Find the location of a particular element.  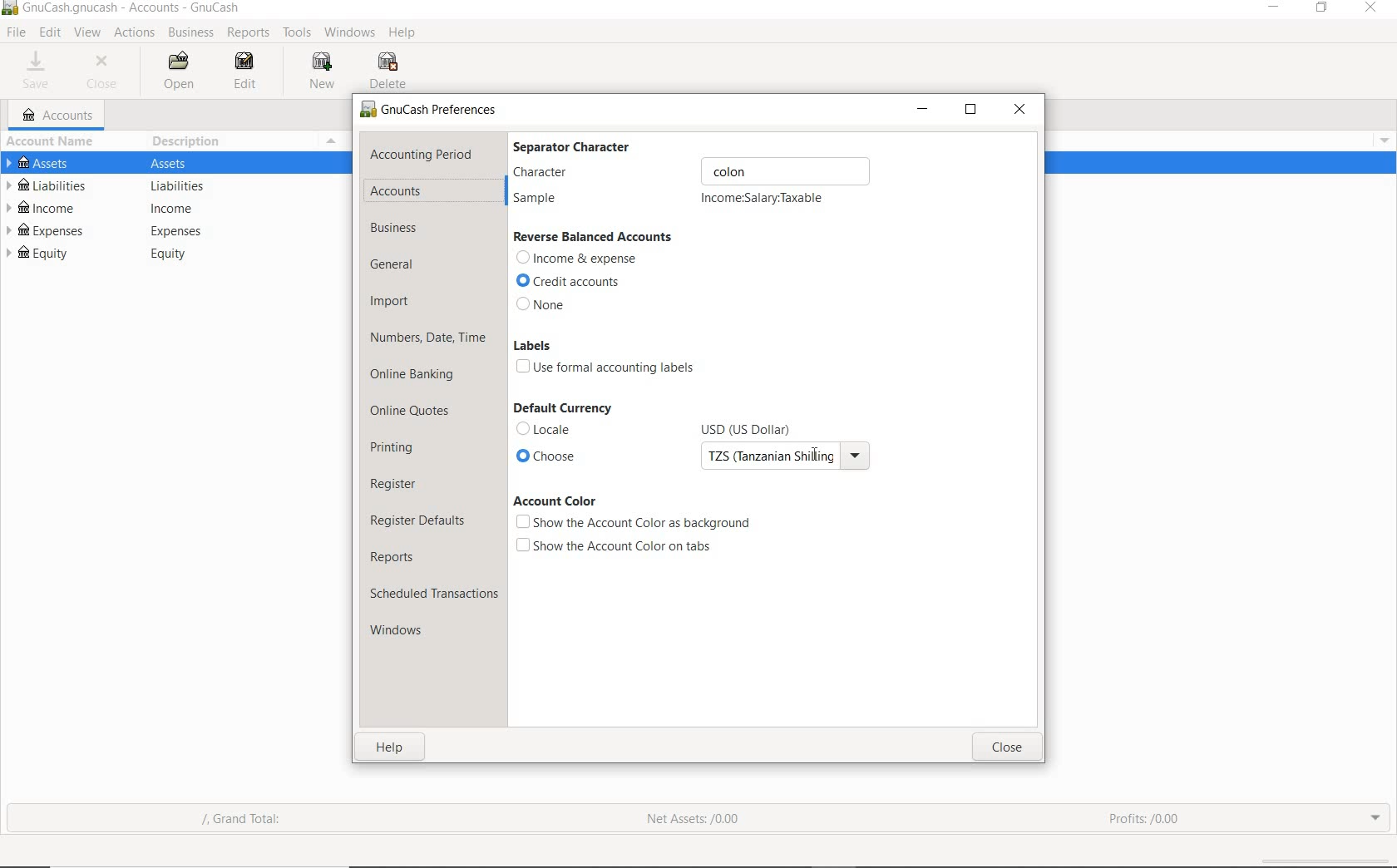

incomeSalary:Taxable is located at coordinates (763, 199).